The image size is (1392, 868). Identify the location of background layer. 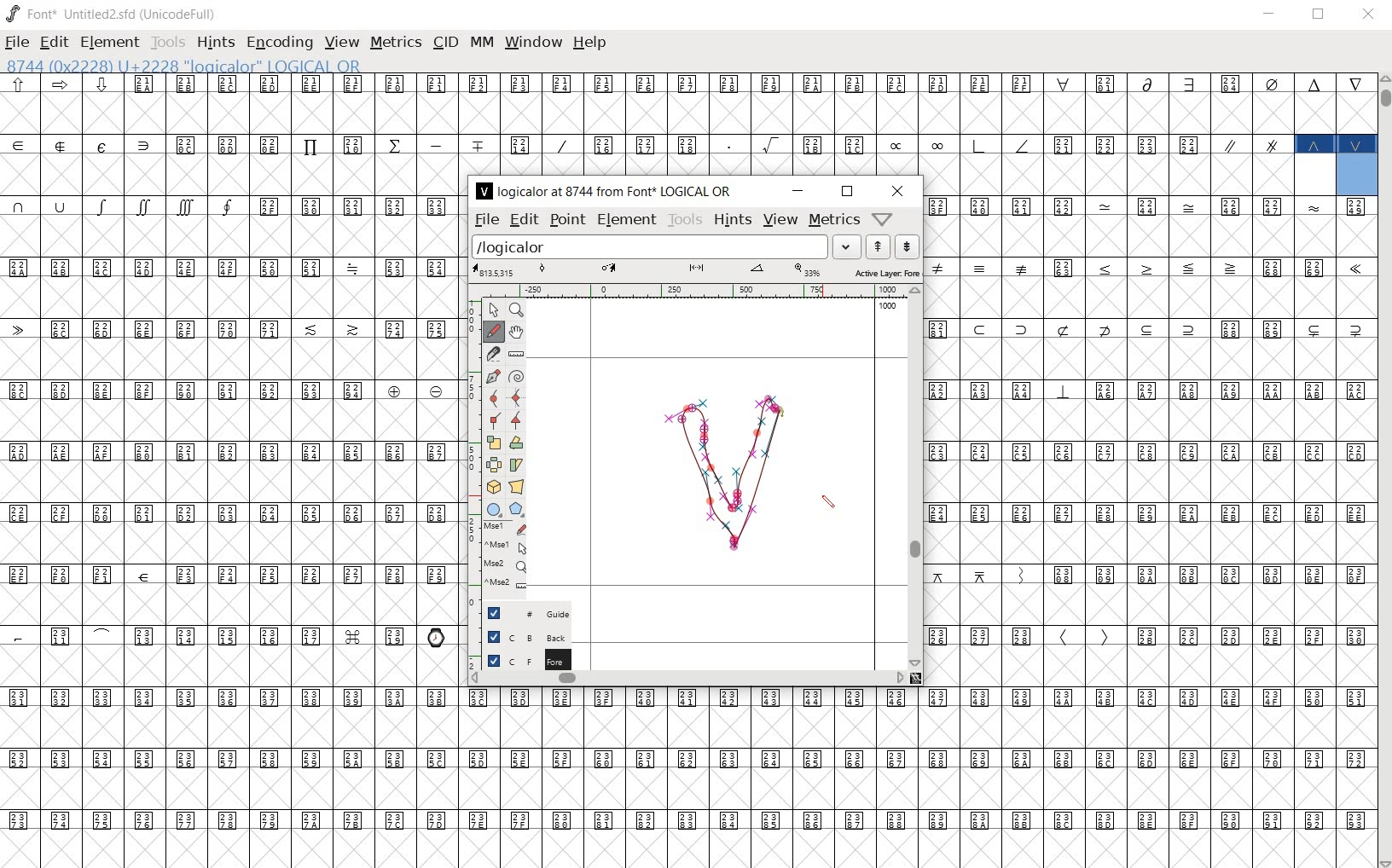
(518, 635).